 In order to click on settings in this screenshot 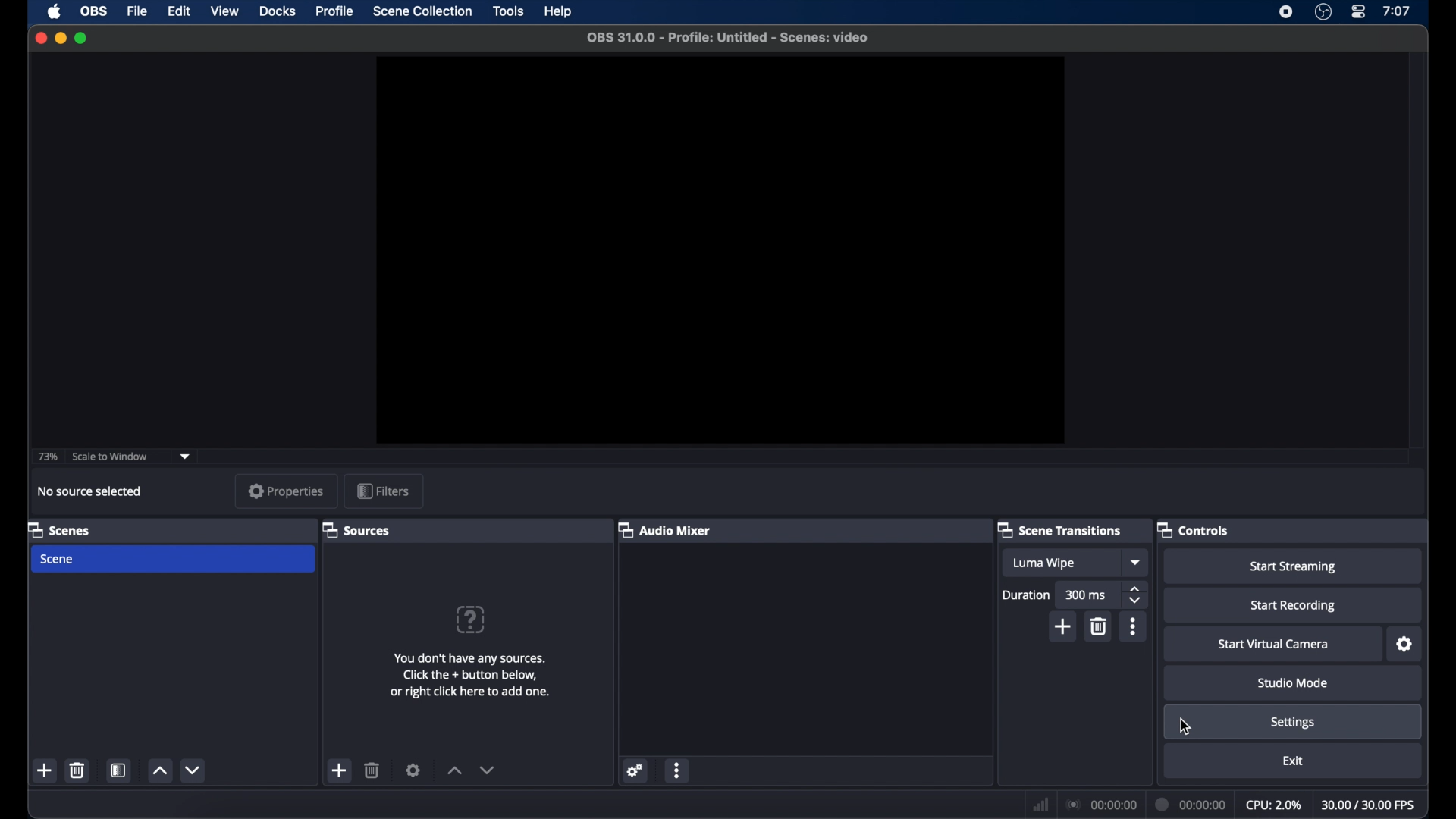, I will do `click(1405, 645)`.